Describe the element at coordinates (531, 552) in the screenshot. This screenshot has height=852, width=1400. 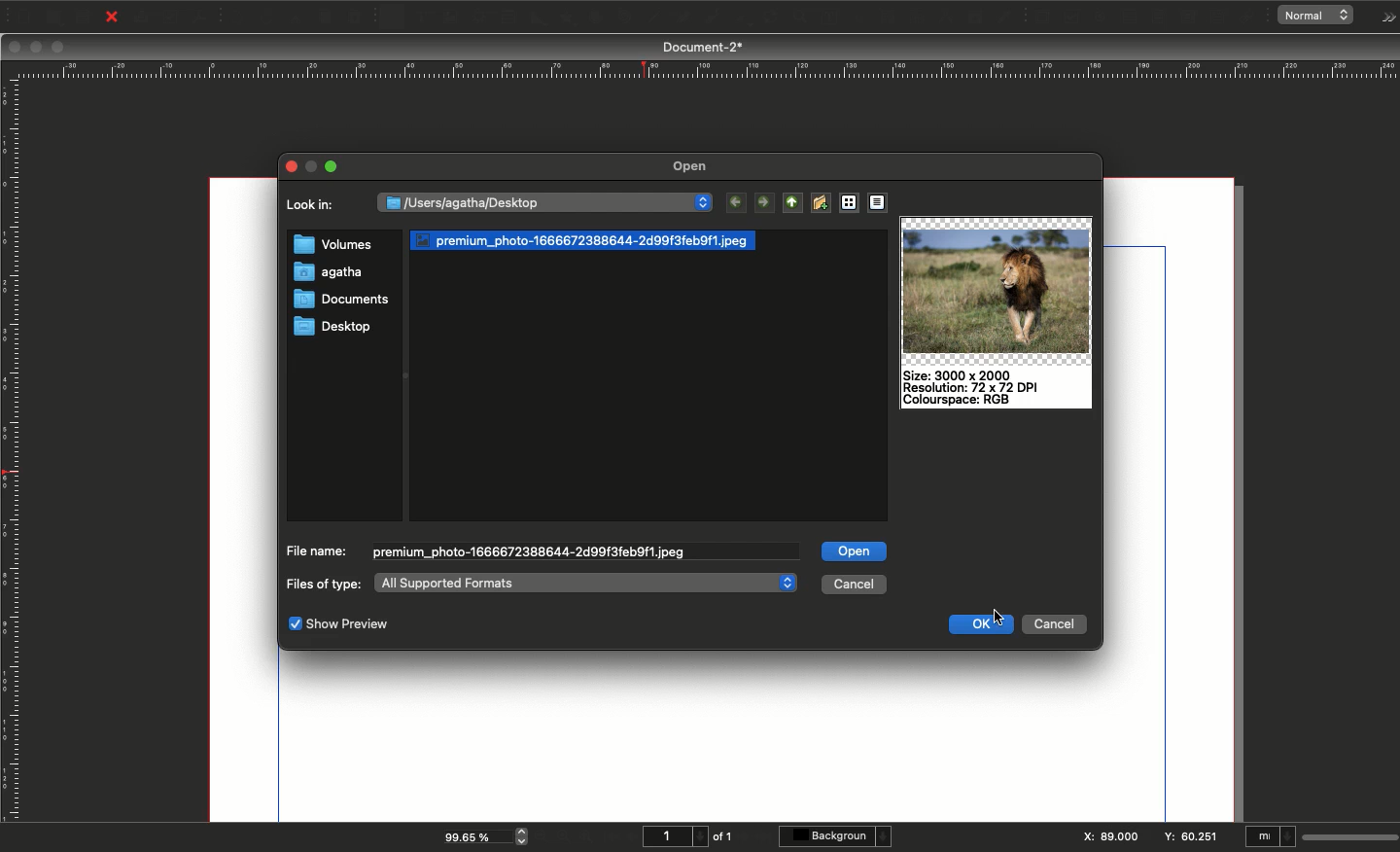
I see `premium_photo-1666672388644-2d99f3feb9f1.jpeg` at that location.